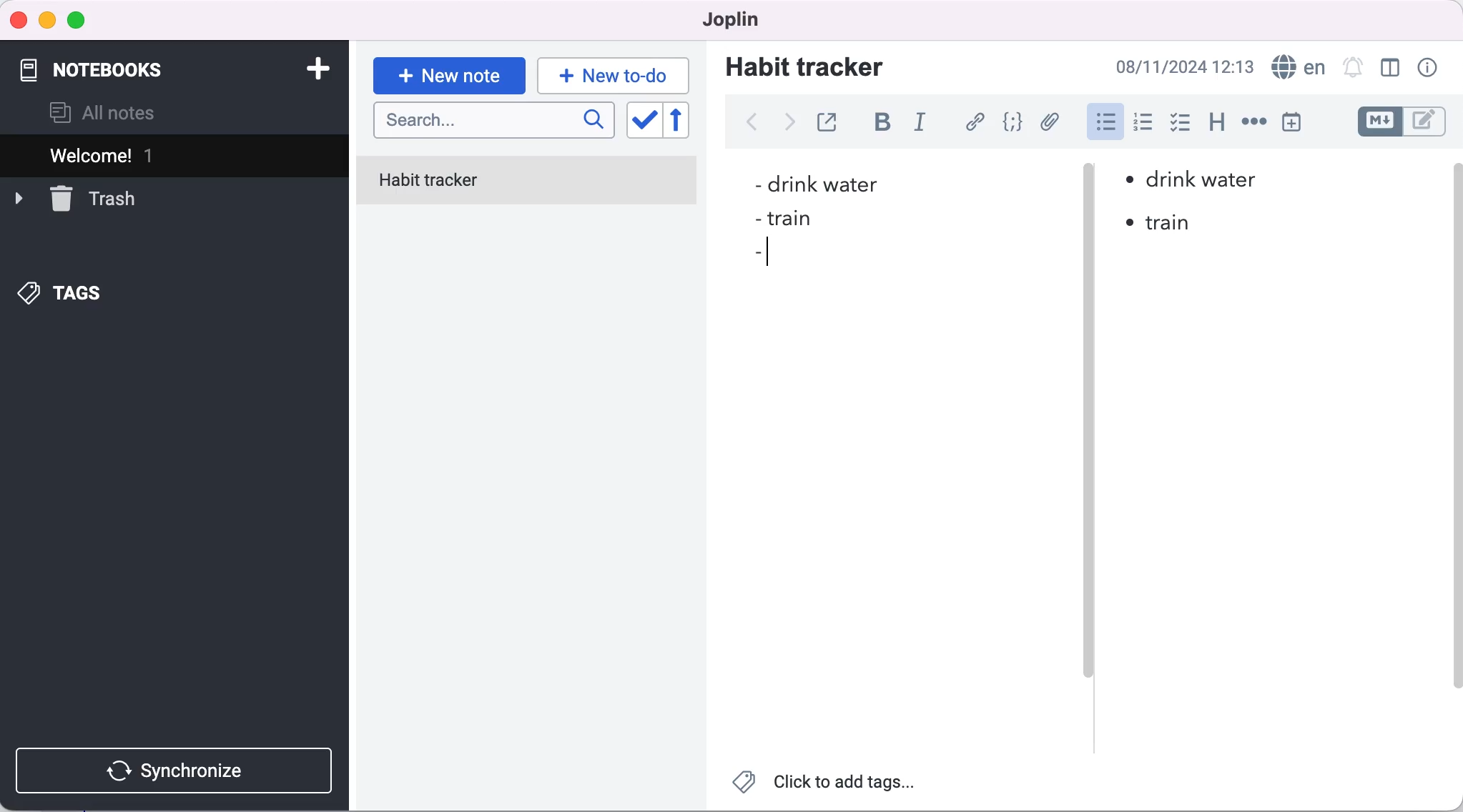  Describe the element at coordinates (924, 124) in the screenshot. I see `italic` at that location.